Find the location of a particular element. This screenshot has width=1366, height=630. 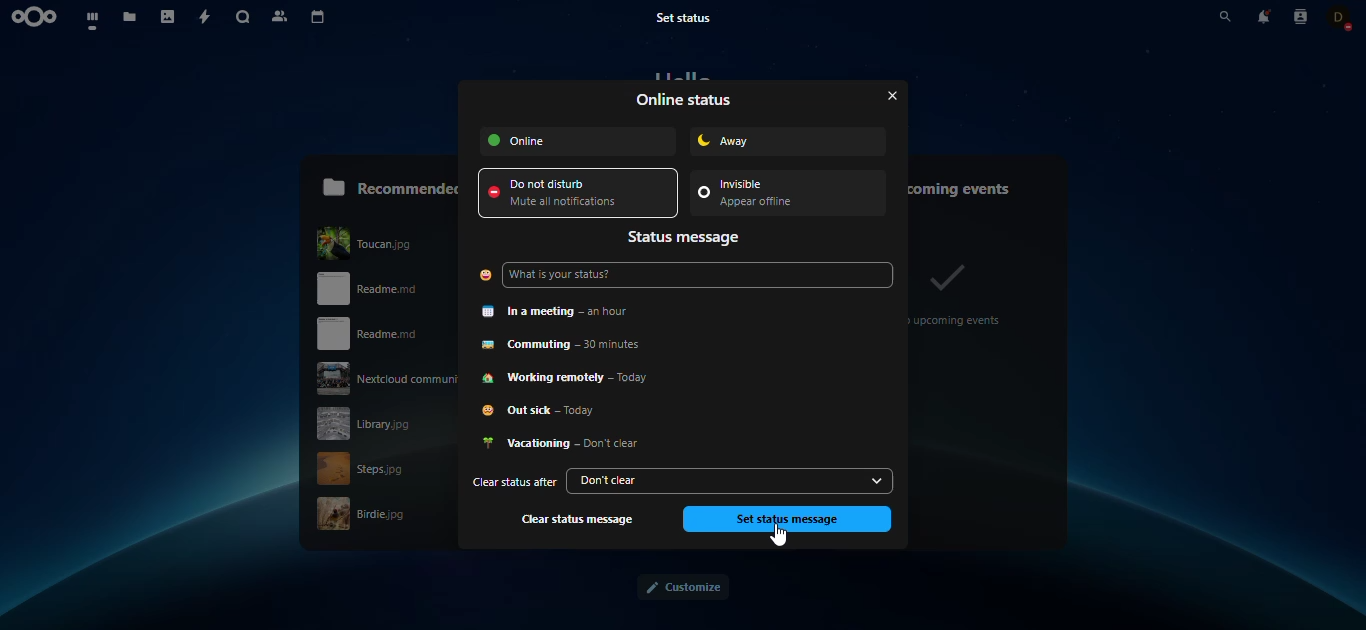

cursor is located at coordinates (789, 539).